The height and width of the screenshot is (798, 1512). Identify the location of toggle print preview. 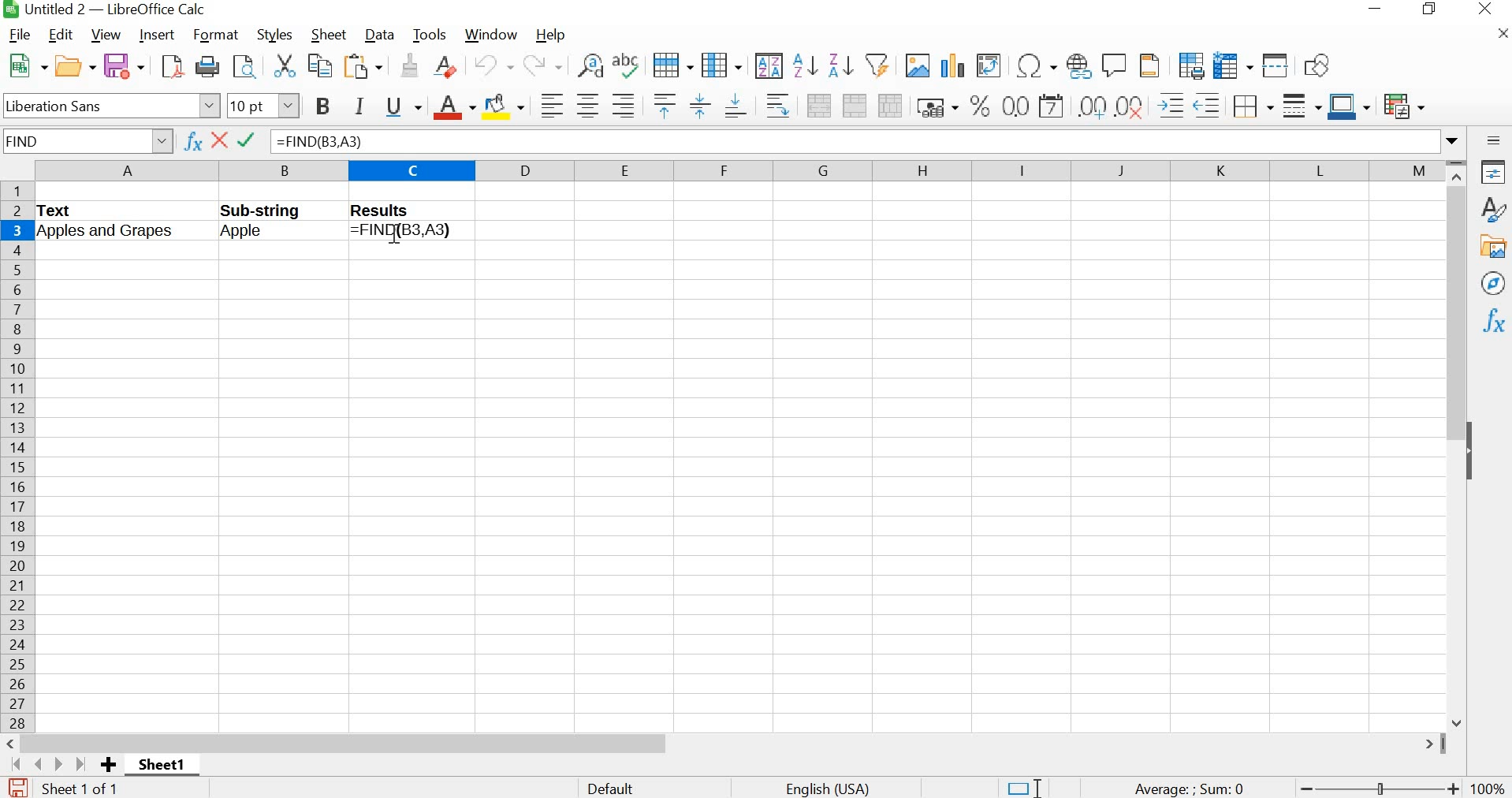
(244, 66).